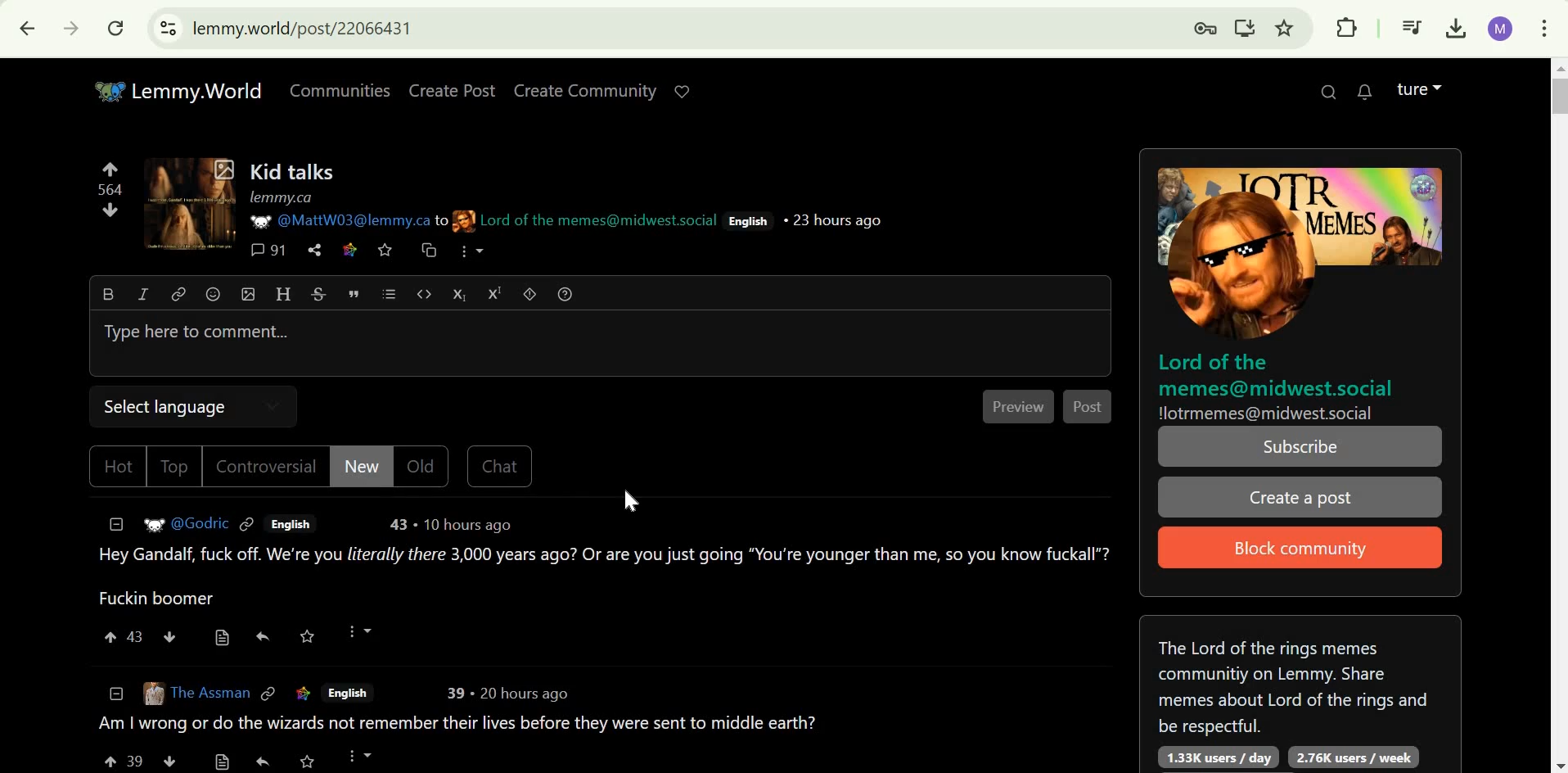 This screenshot has width=1568, height=773. I want to click on expand here, so click(194, 202).